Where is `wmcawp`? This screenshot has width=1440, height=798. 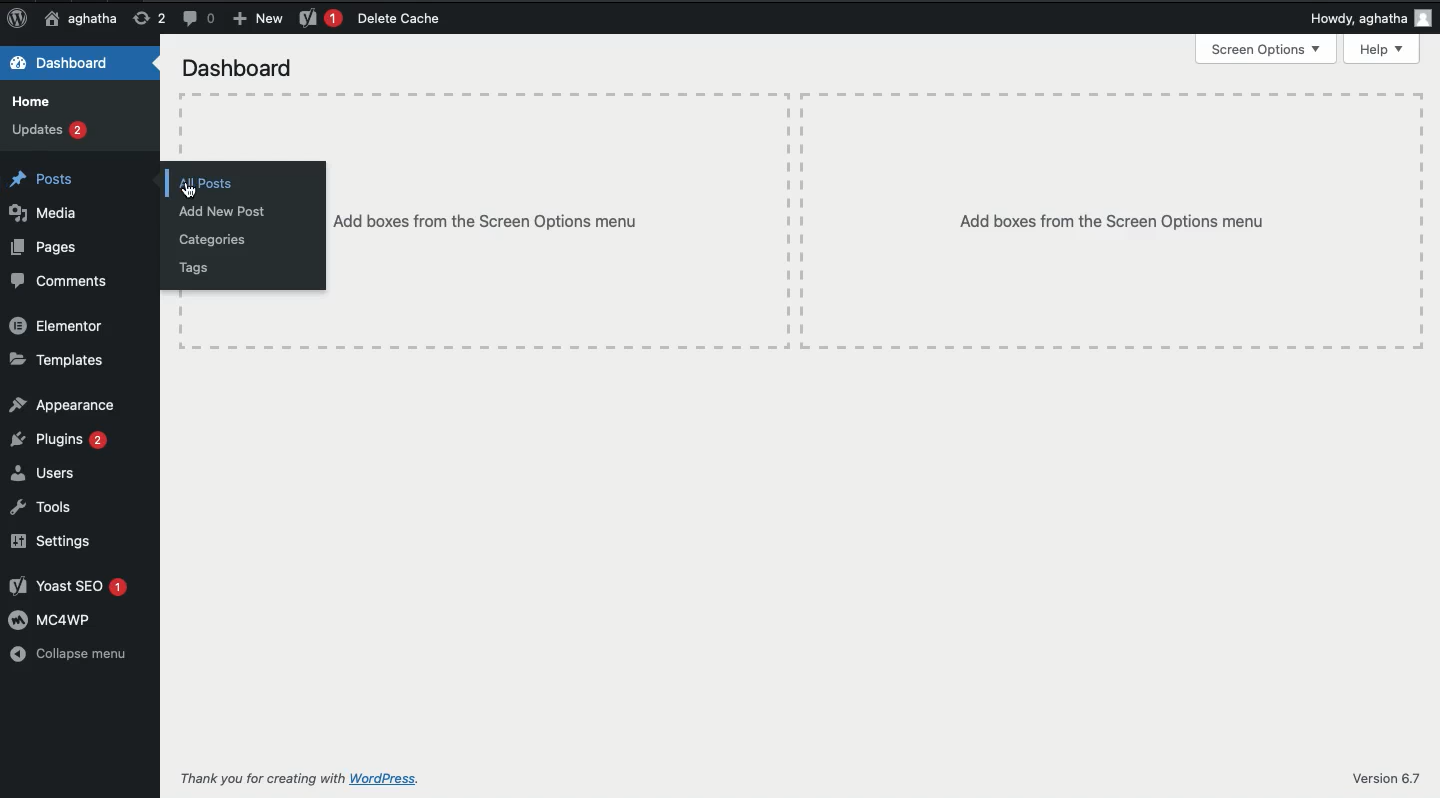
wmcawp is located at coordinates (55, 620).